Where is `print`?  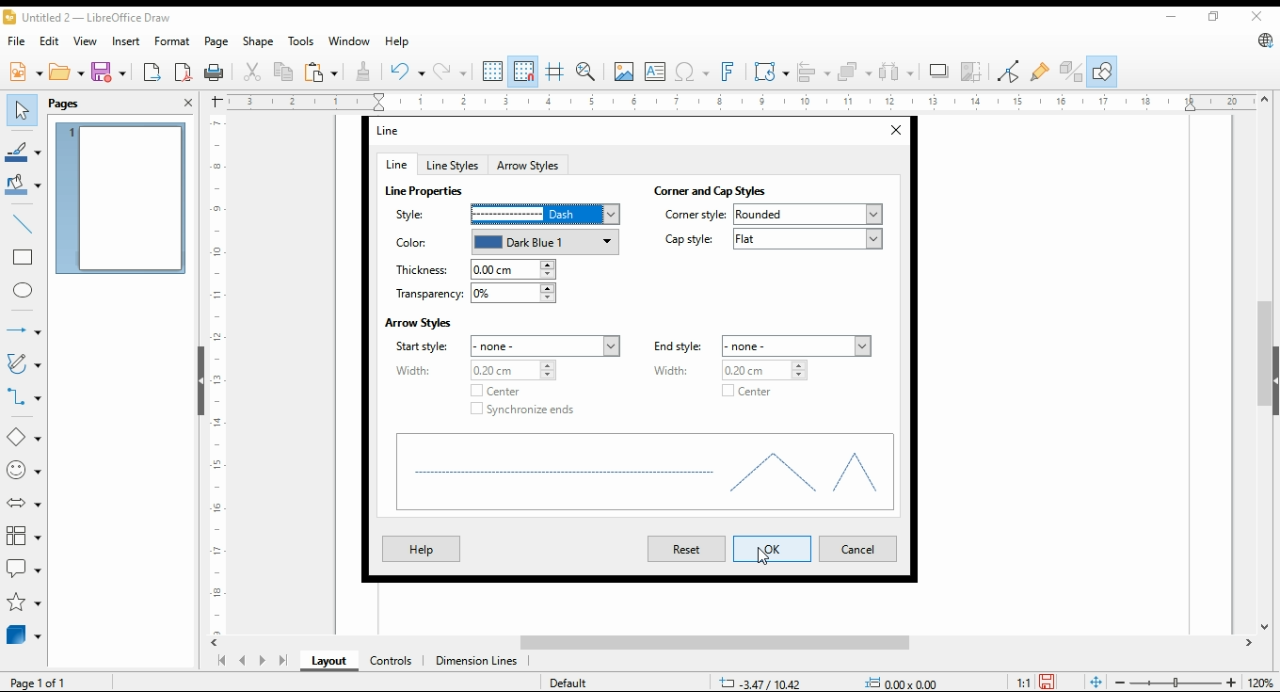
print is located at coordinates (215, 72).